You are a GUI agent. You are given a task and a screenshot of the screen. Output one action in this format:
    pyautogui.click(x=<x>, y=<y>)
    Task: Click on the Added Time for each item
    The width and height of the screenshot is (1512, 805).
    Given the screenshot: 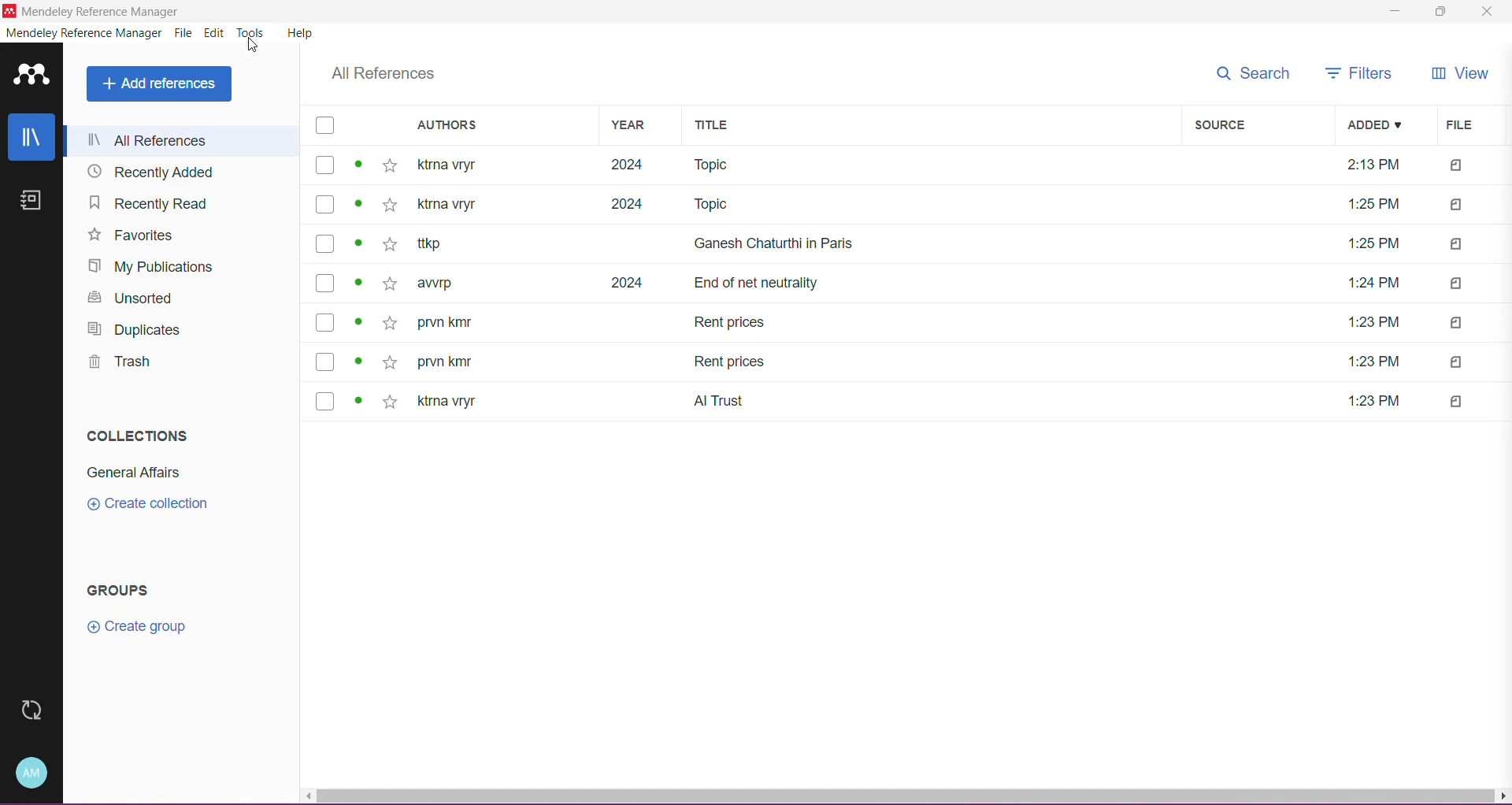 What is the action you would take?
    pyautogui.click(x=1373, y=162)
    